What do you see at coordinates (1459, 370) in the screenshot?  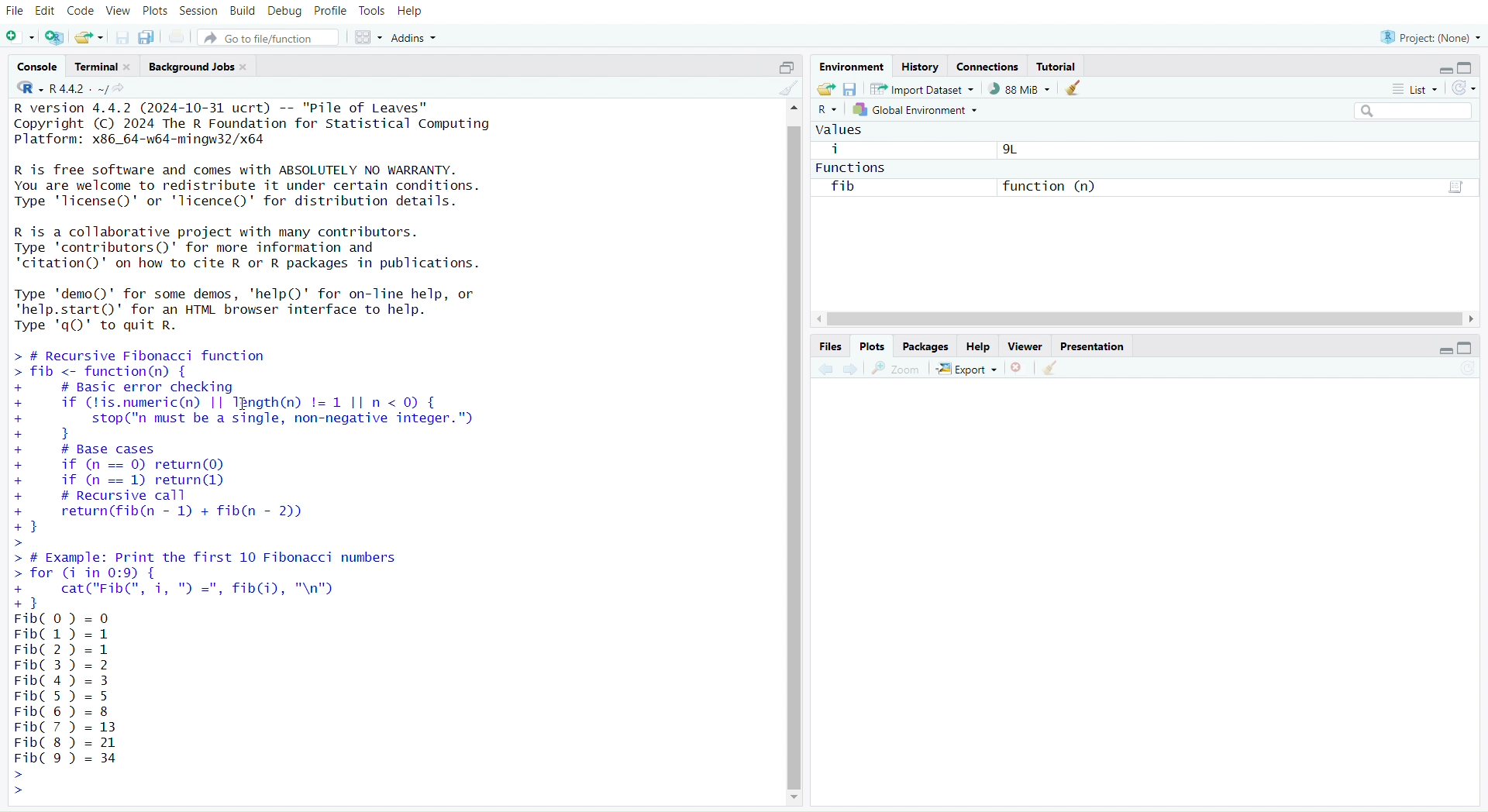 I see `refresh all plot` at bounding box center [1459, 370].